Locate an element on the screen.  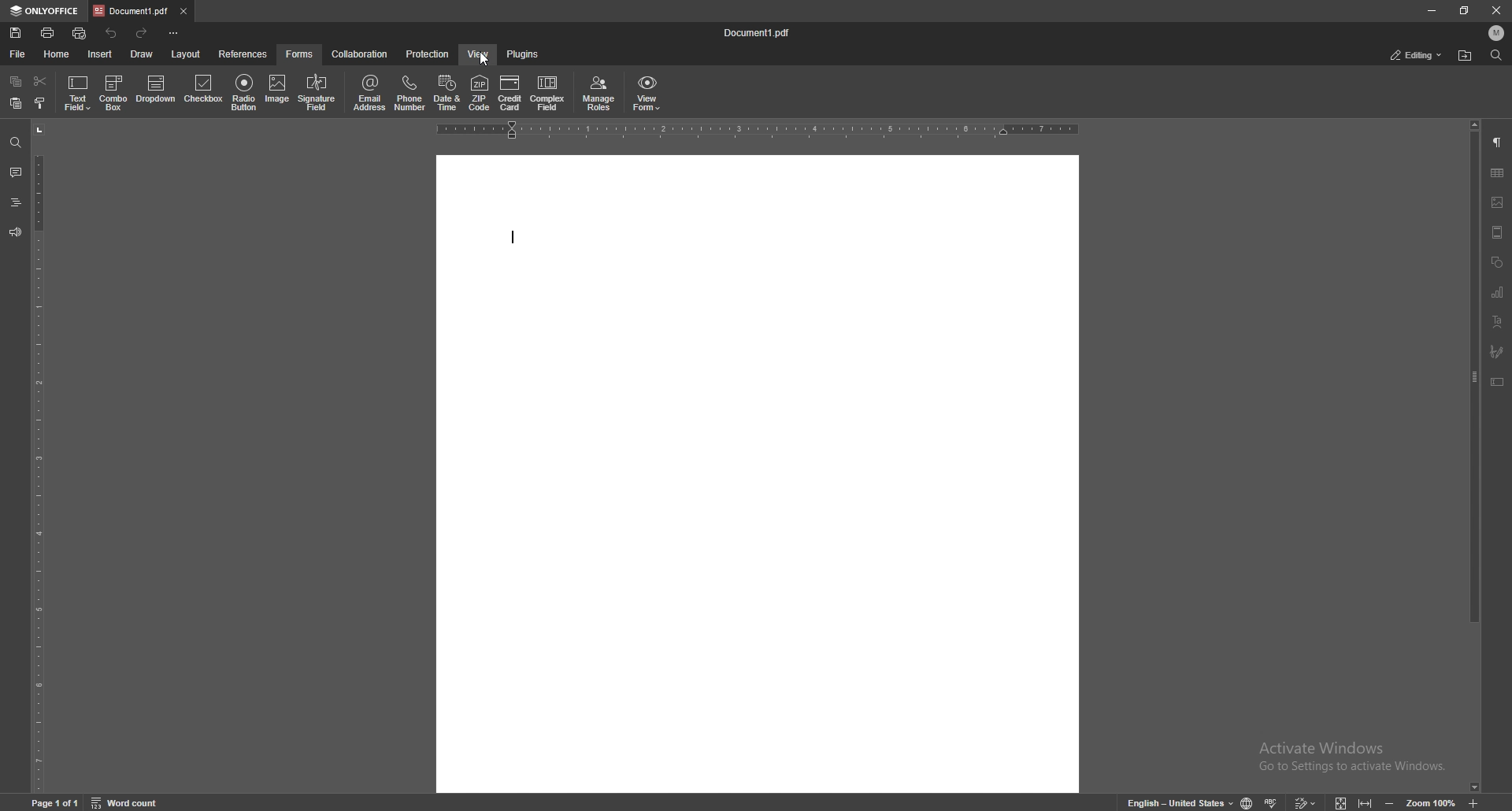
manage roles is located at coordinates (599, 93).